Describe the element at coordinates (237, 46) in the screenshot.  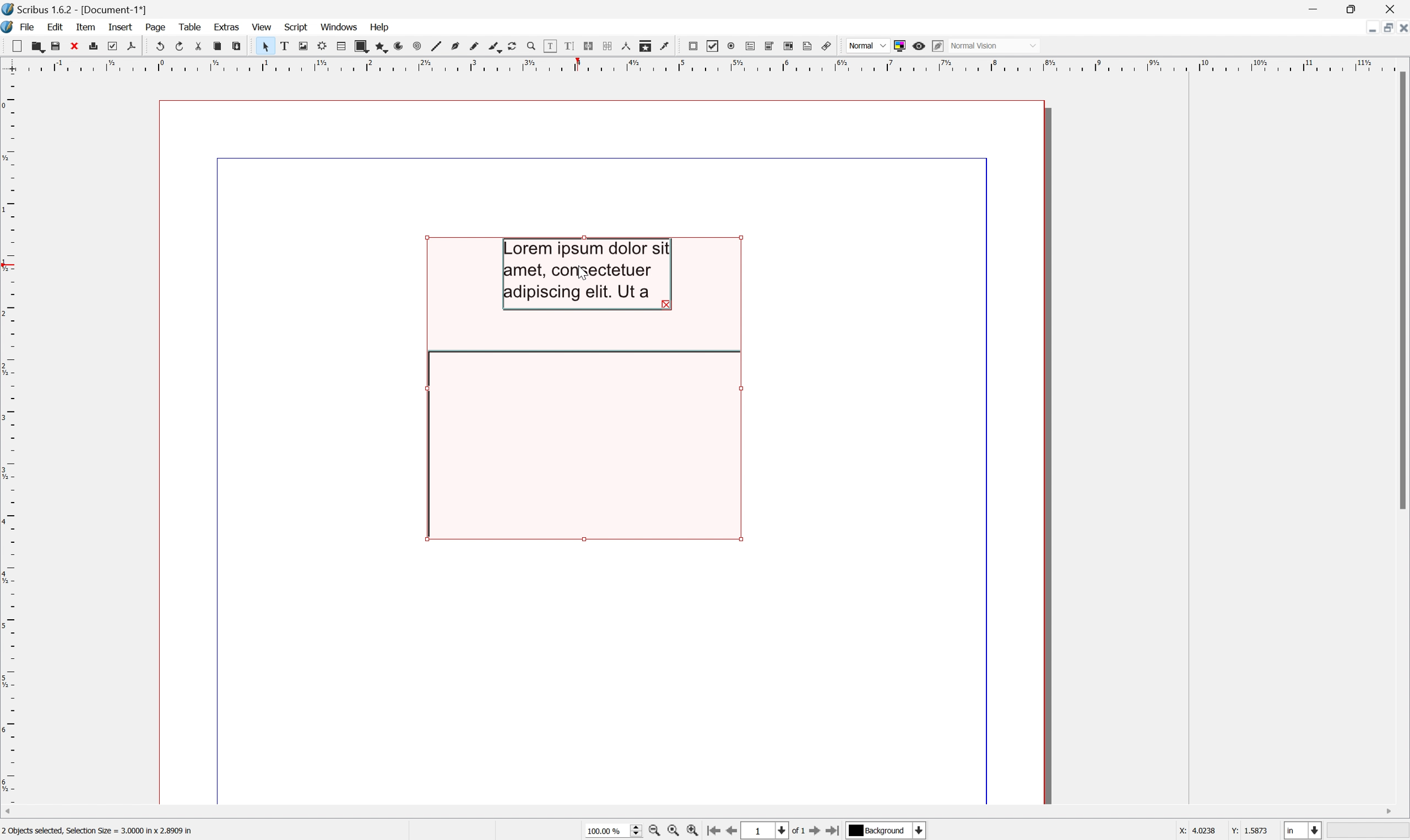
I see `Paste` at that location.